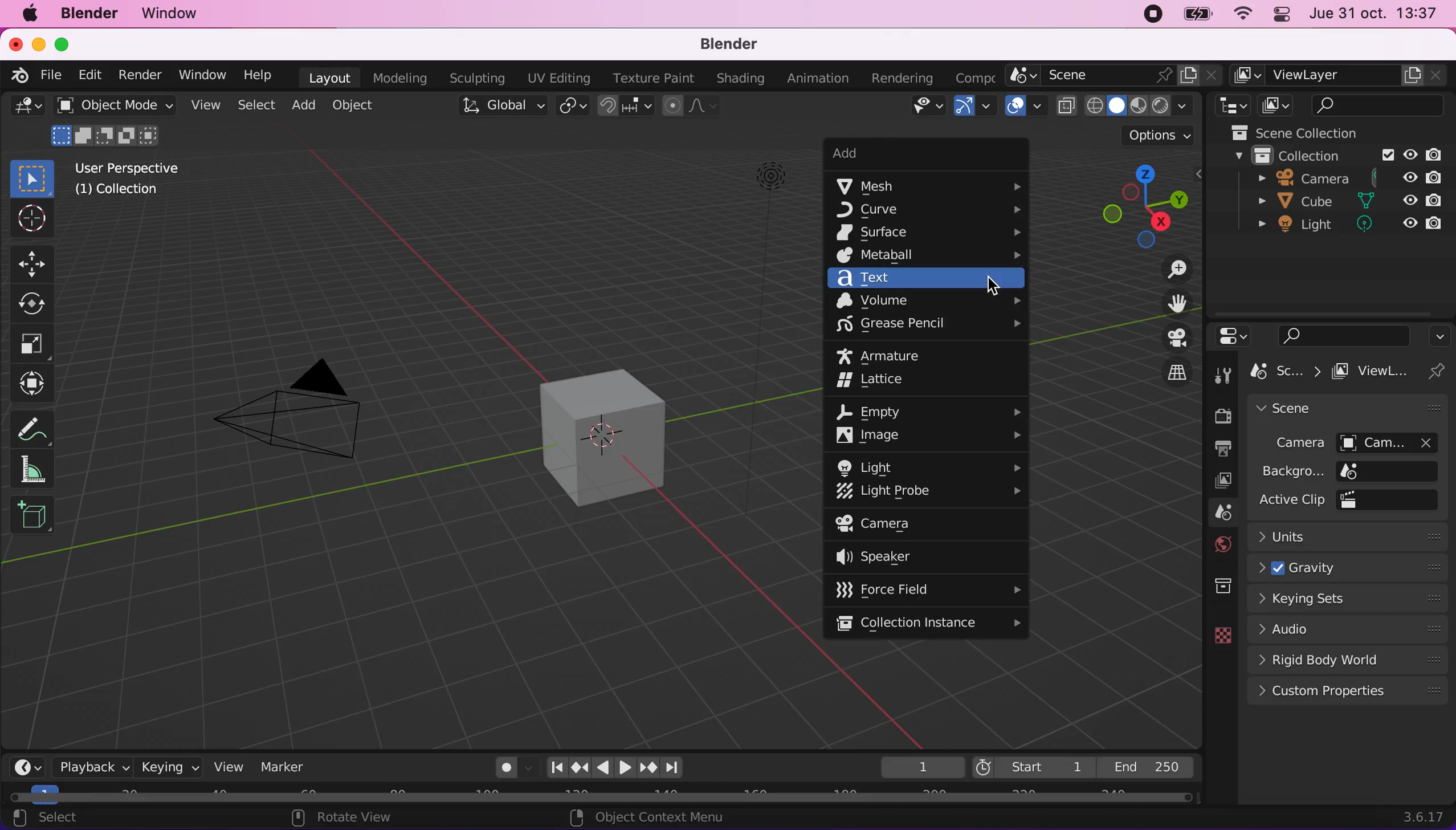 This screenshot has height=830, width=1456. Describe the element at coordinates (1218, 414) in the screenshot. I see `render` at that location.